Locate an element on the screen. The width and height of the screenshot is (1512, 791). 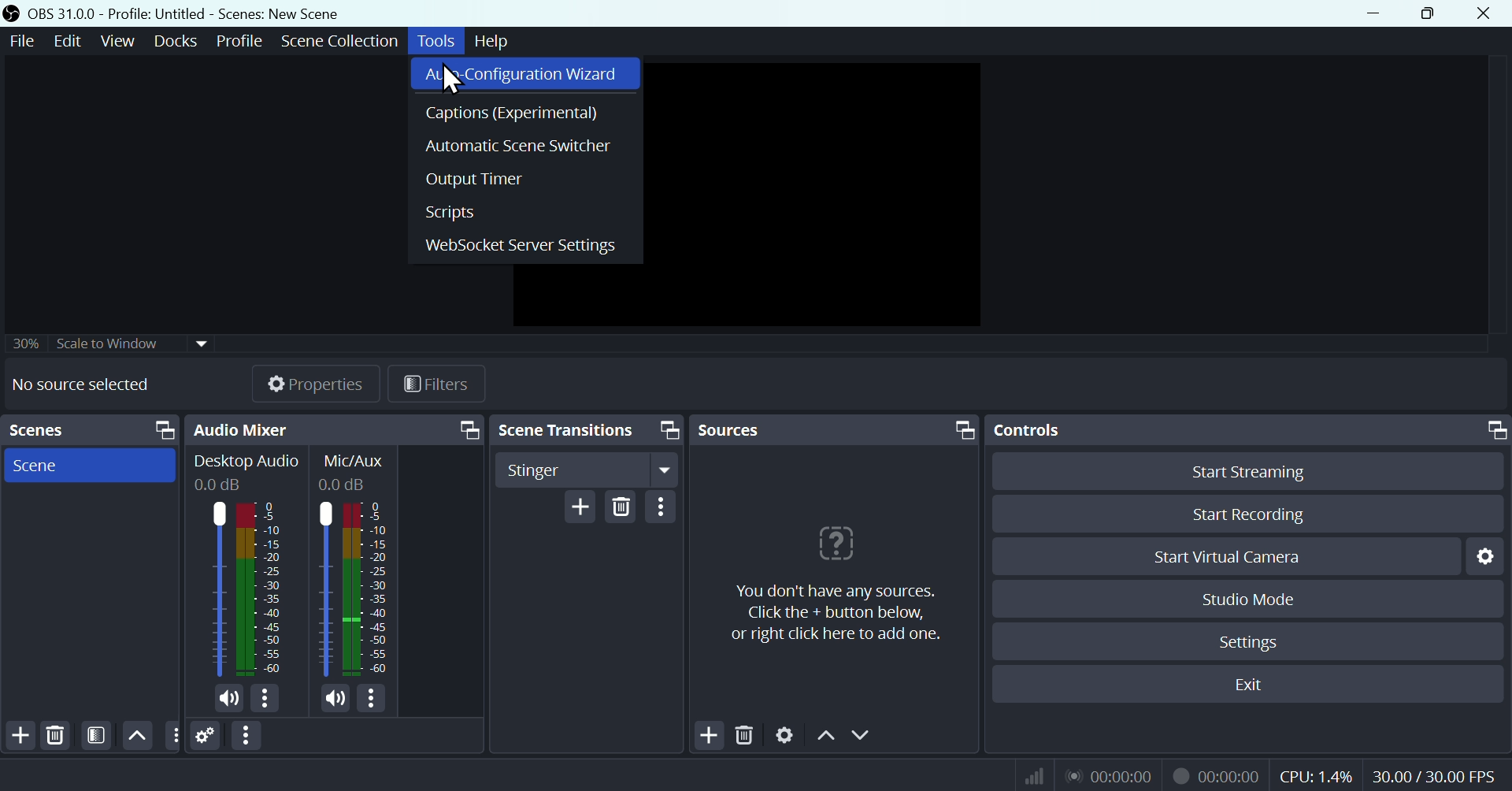
30% scale widow  is located at coordinates (132, 342).